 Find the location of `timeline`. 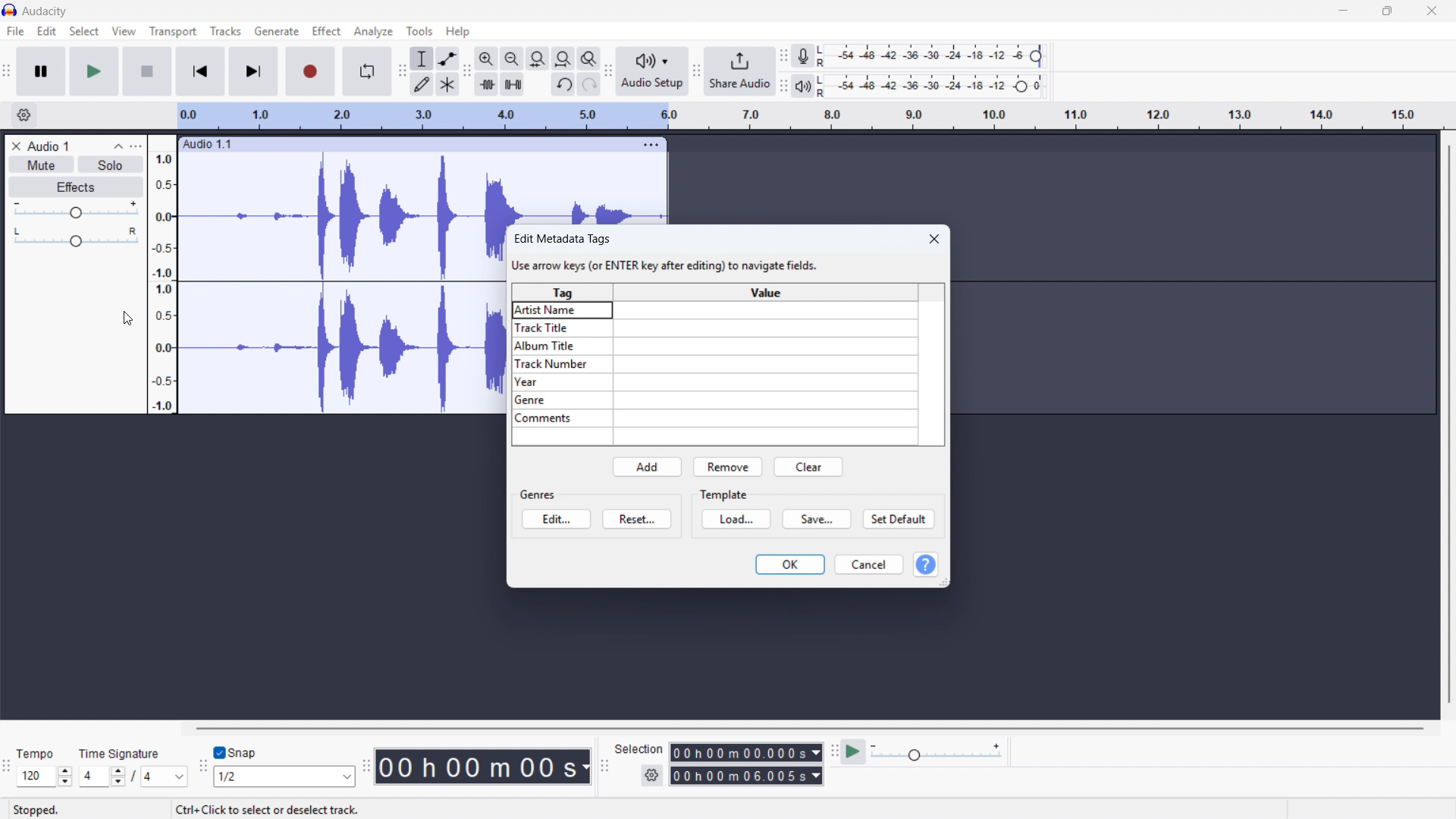

timeline is located at coordinates (810, 116).